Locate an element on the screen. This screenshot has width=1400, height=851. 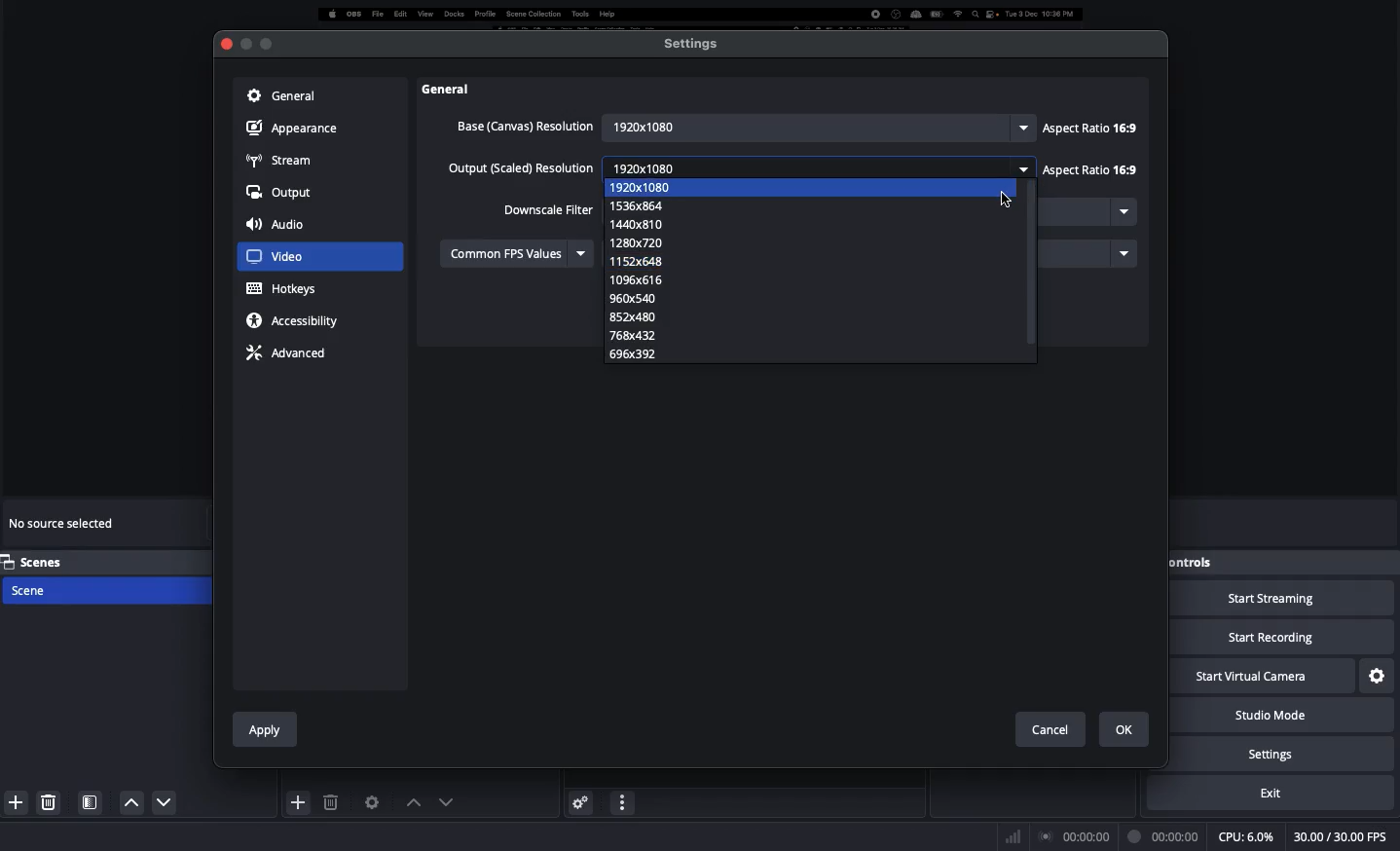
Clicked is located at coordinates (287, 257).